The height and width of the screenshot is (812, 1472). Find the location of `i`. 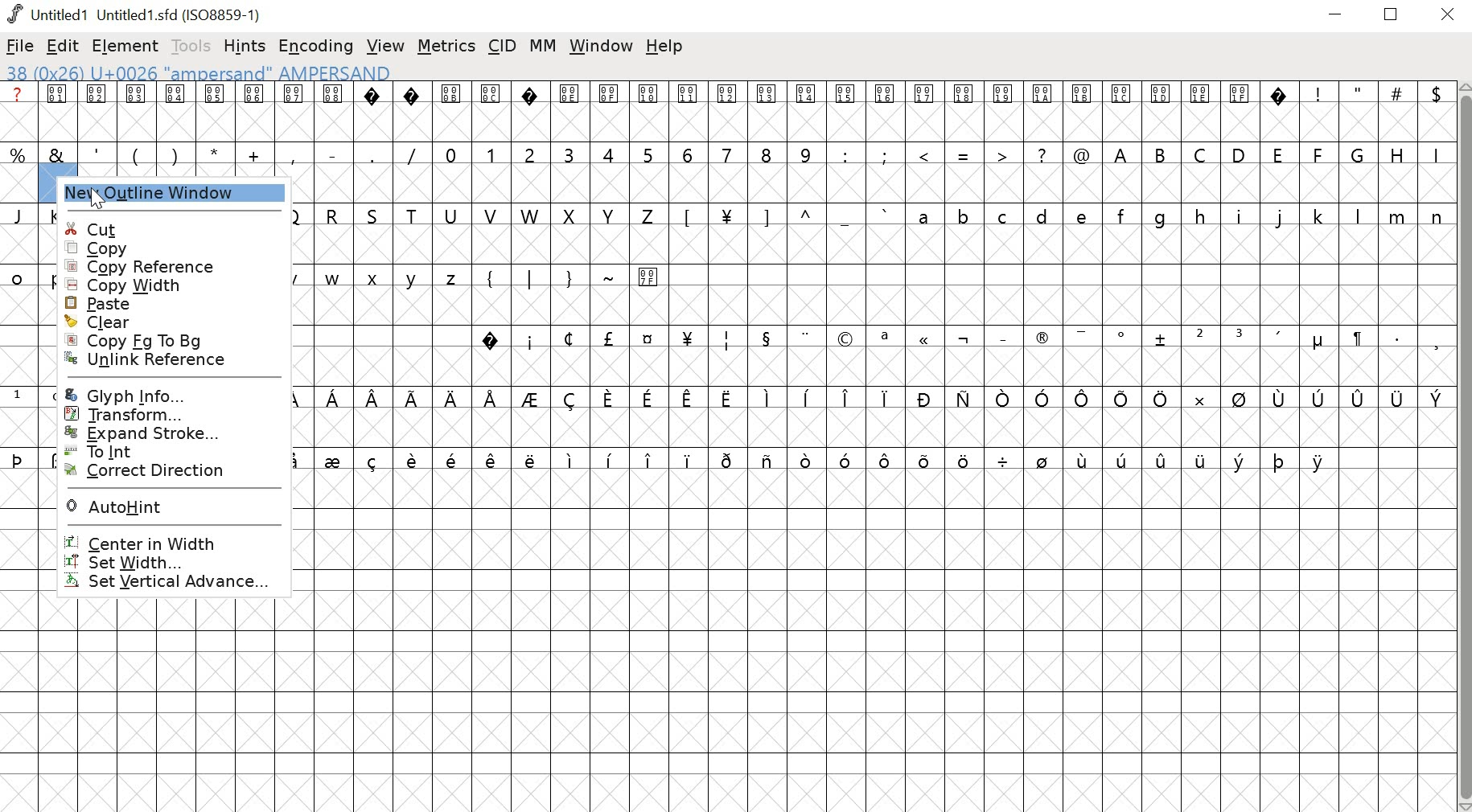

i is located at coordinates (1240, 215).